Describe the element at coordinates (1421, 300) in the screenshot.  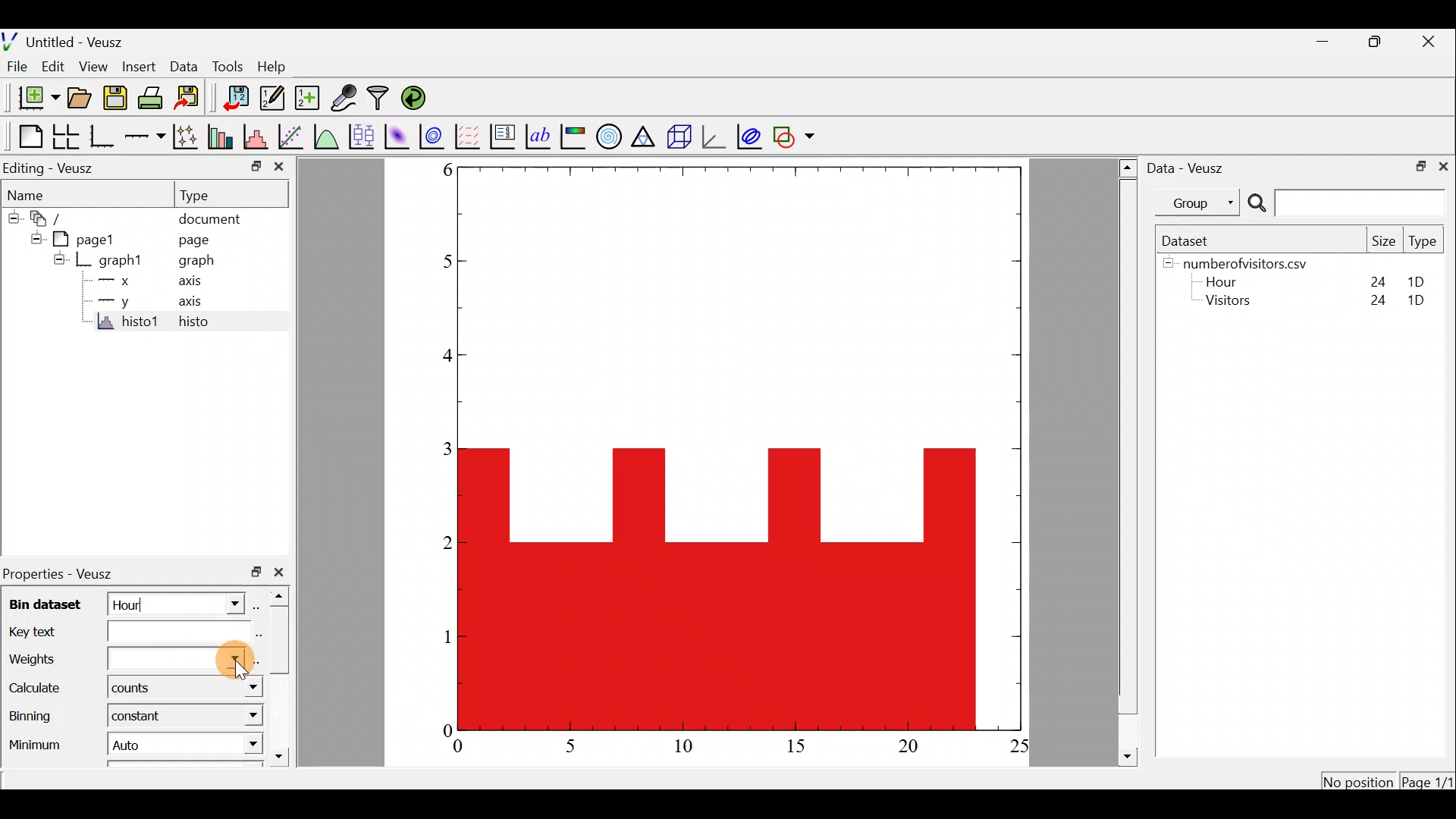
I see `1D` at that location.